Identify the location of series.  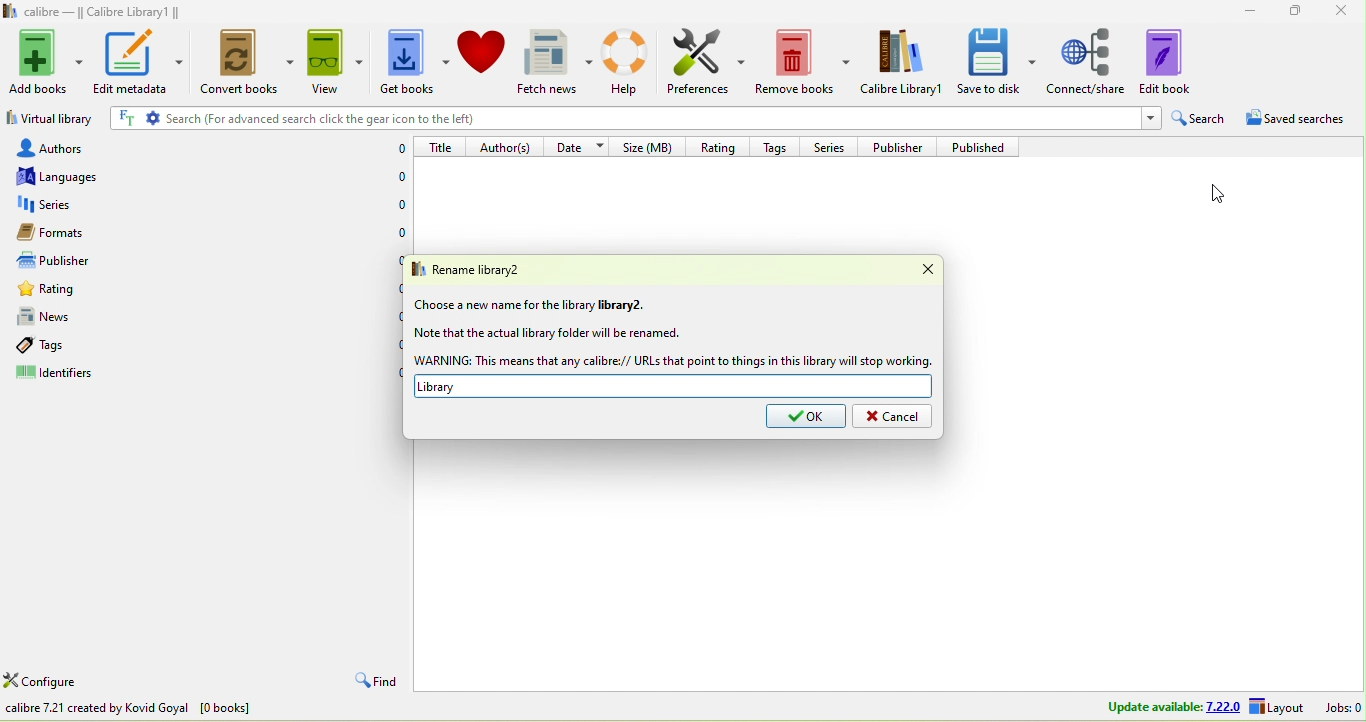
(831, 146).